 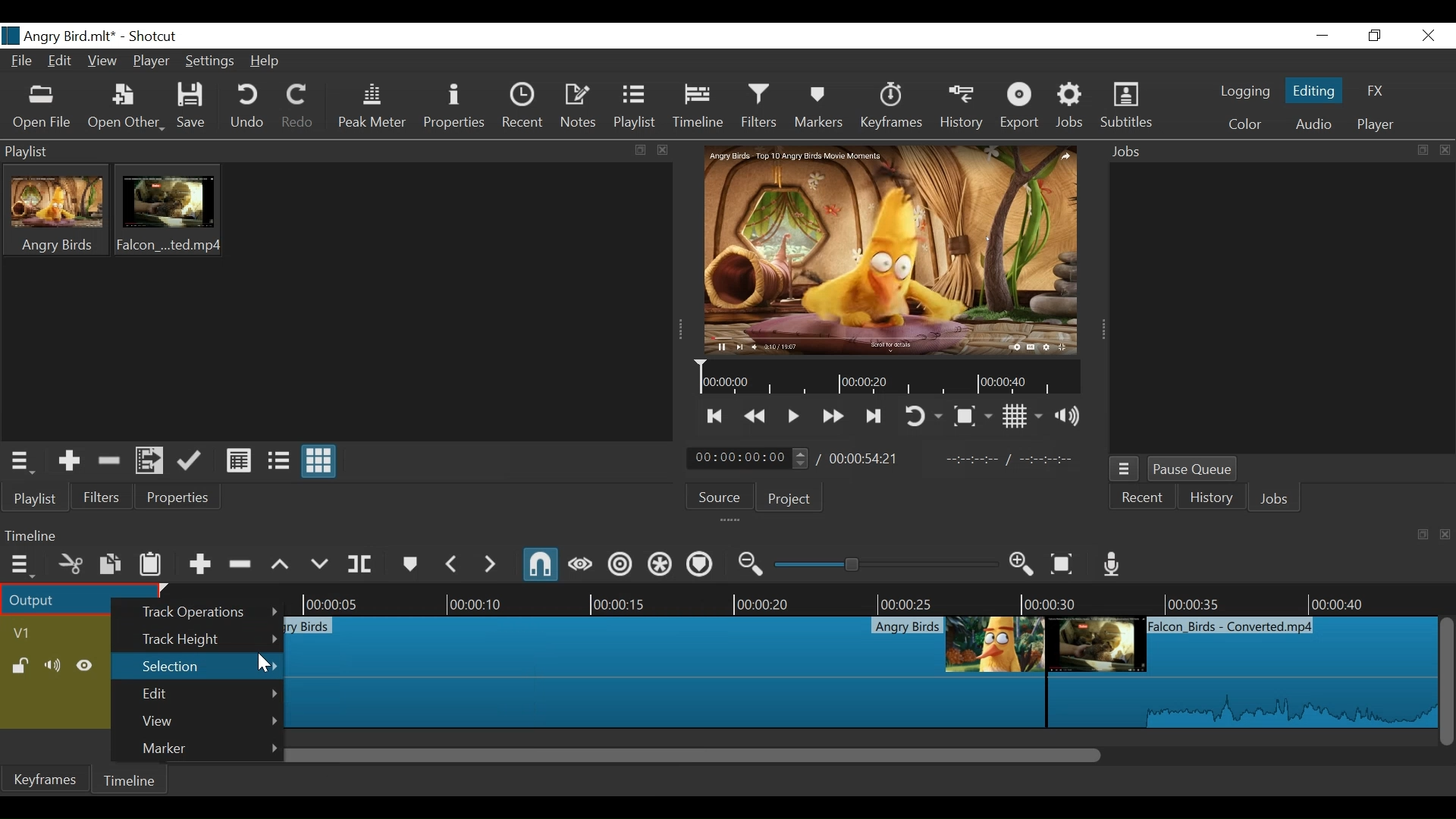 I want to click on Player, so click(x=152, y=62).